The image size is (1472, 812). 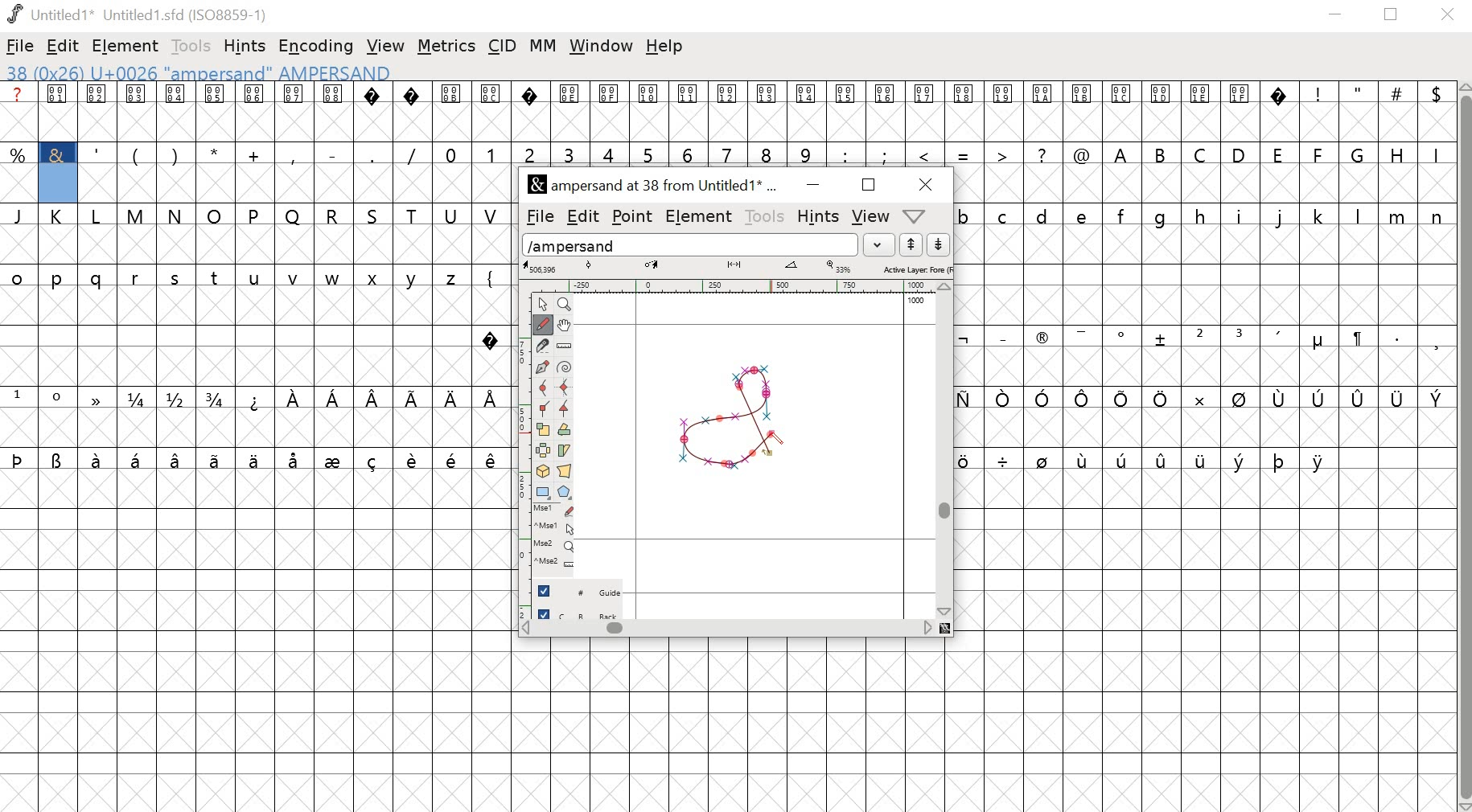 What do you see at coordinates (916, 301) in the screenshot?
I see `guide` at bounding box center [916, 301].